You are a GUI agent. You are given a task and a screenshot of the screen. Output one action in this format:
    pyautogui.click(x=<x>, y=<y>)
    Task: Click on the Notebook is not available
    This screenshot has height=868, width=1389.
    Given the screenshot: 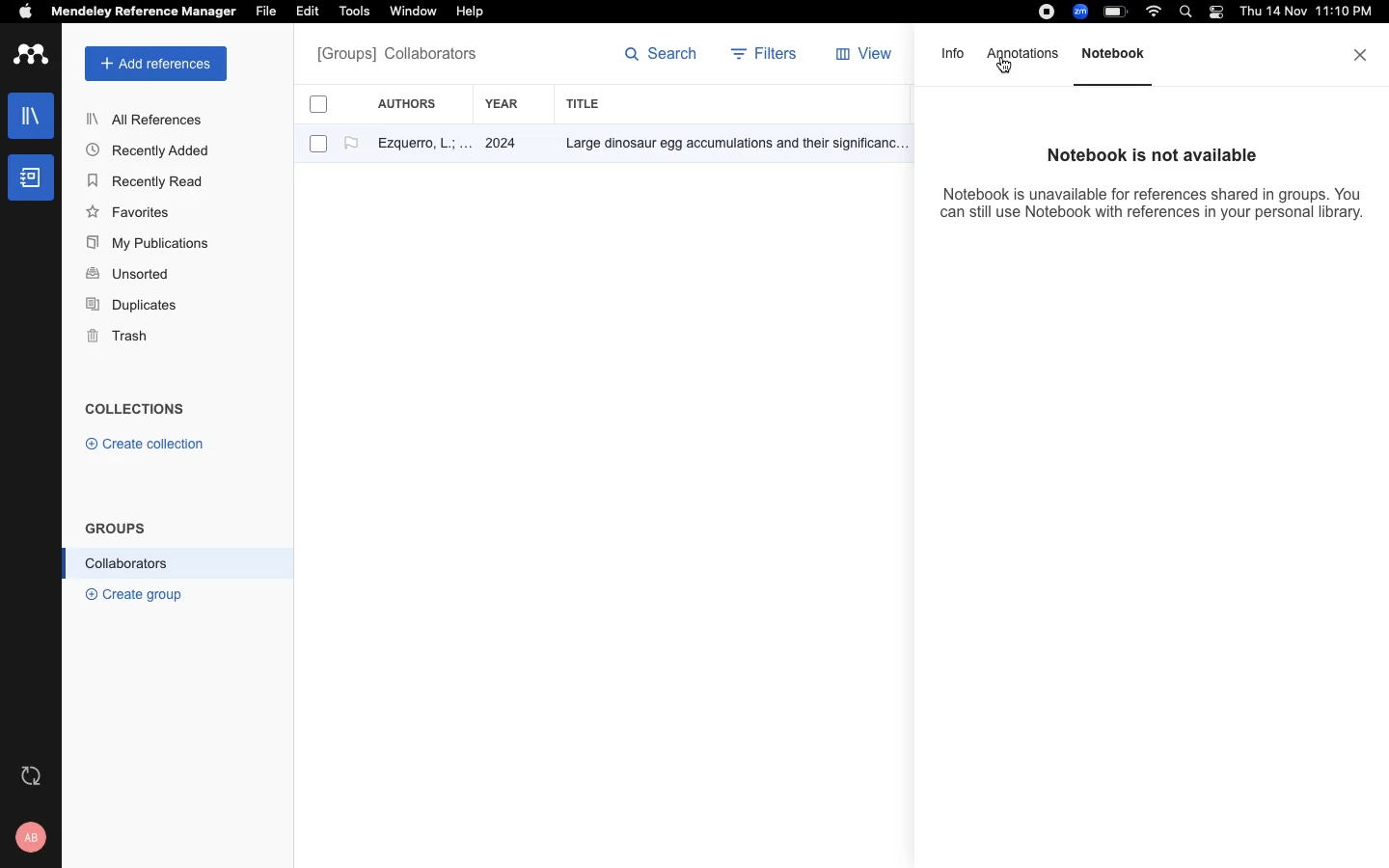 What is the action you would take?
    pyautogui.click(x=1144, y=155)
    